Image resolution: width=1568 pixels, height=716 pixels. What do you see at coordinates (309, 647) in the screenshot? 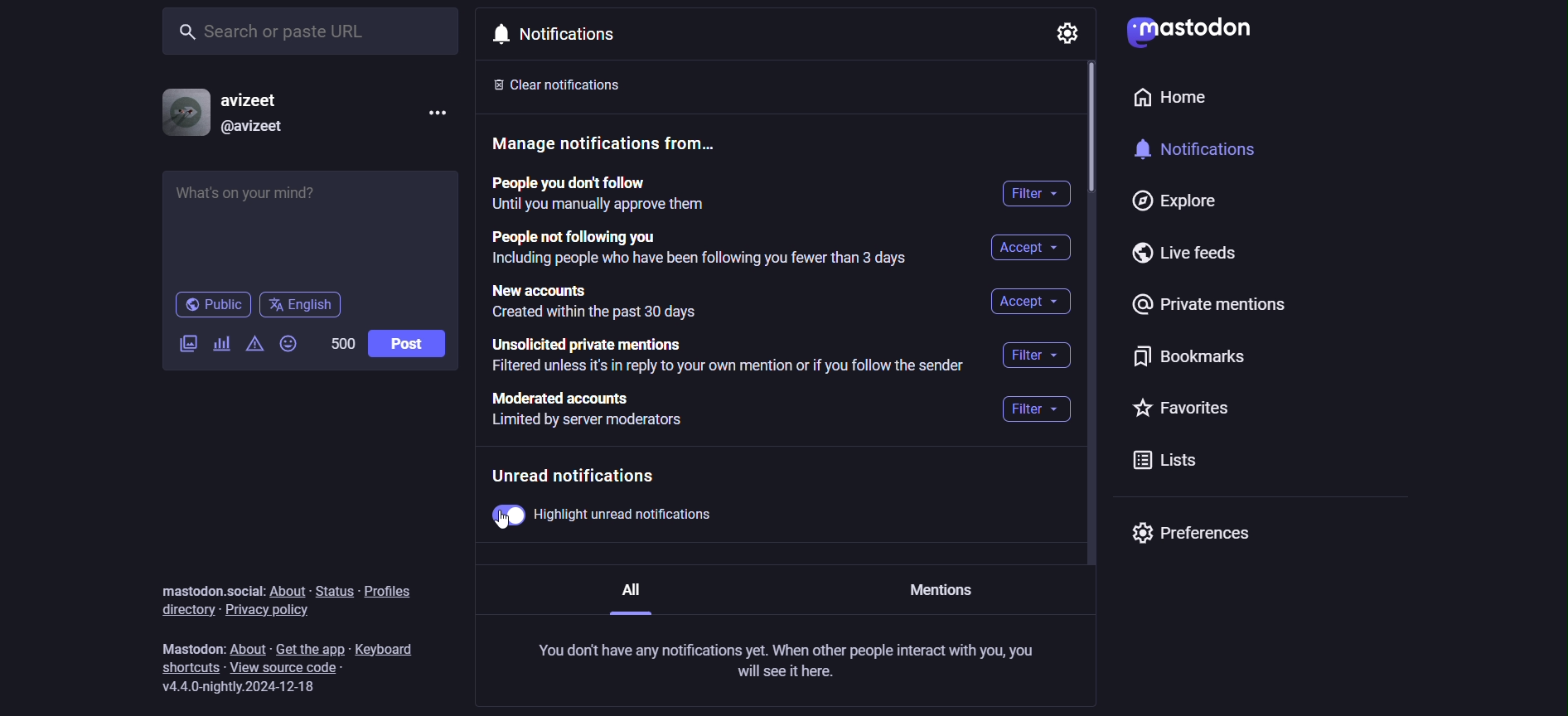
I see `get the app` at bounding box center [309, 647].